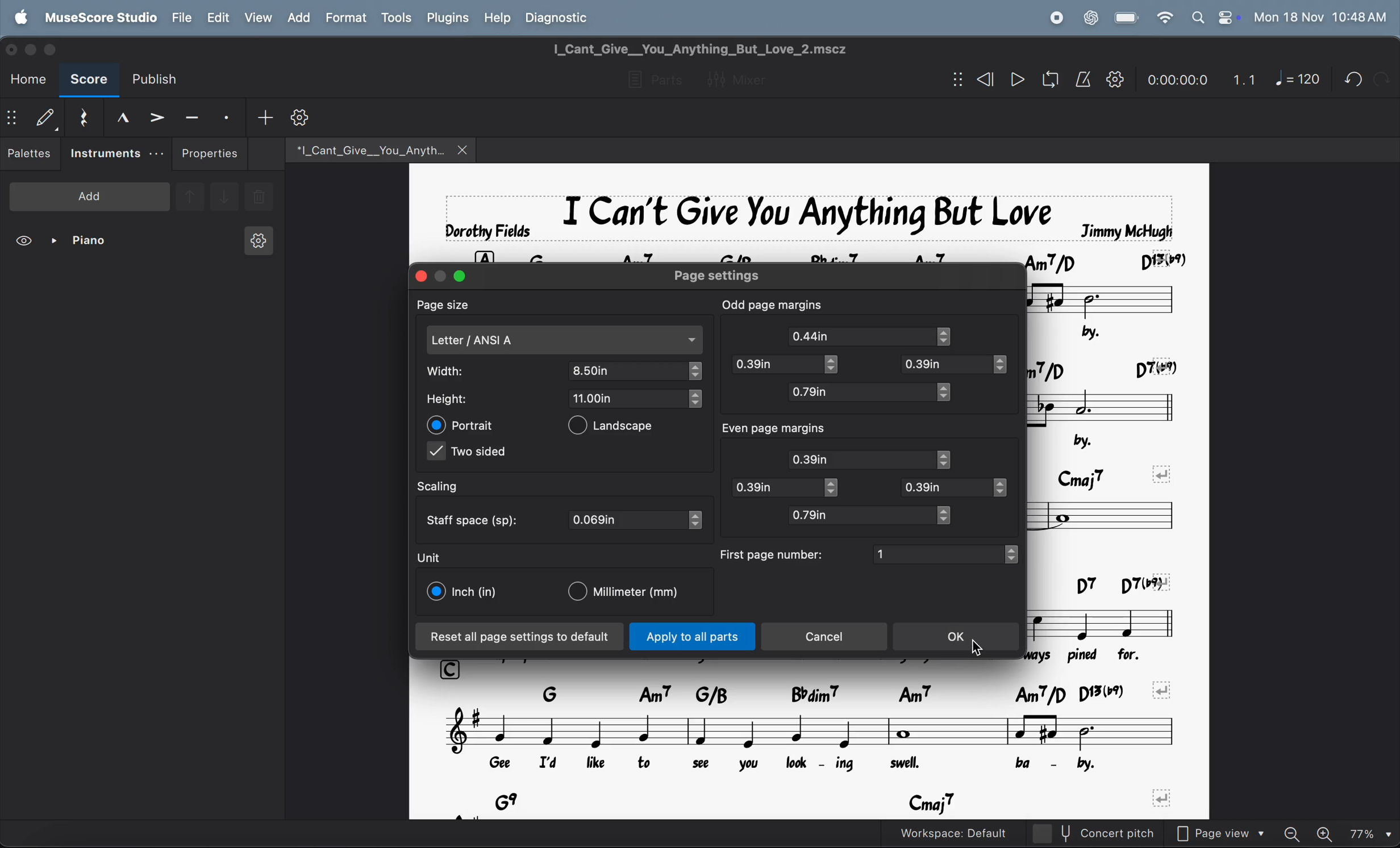 This screenshot has height=848, width=1400. I want to click on 1.1, so click(1244, 77).